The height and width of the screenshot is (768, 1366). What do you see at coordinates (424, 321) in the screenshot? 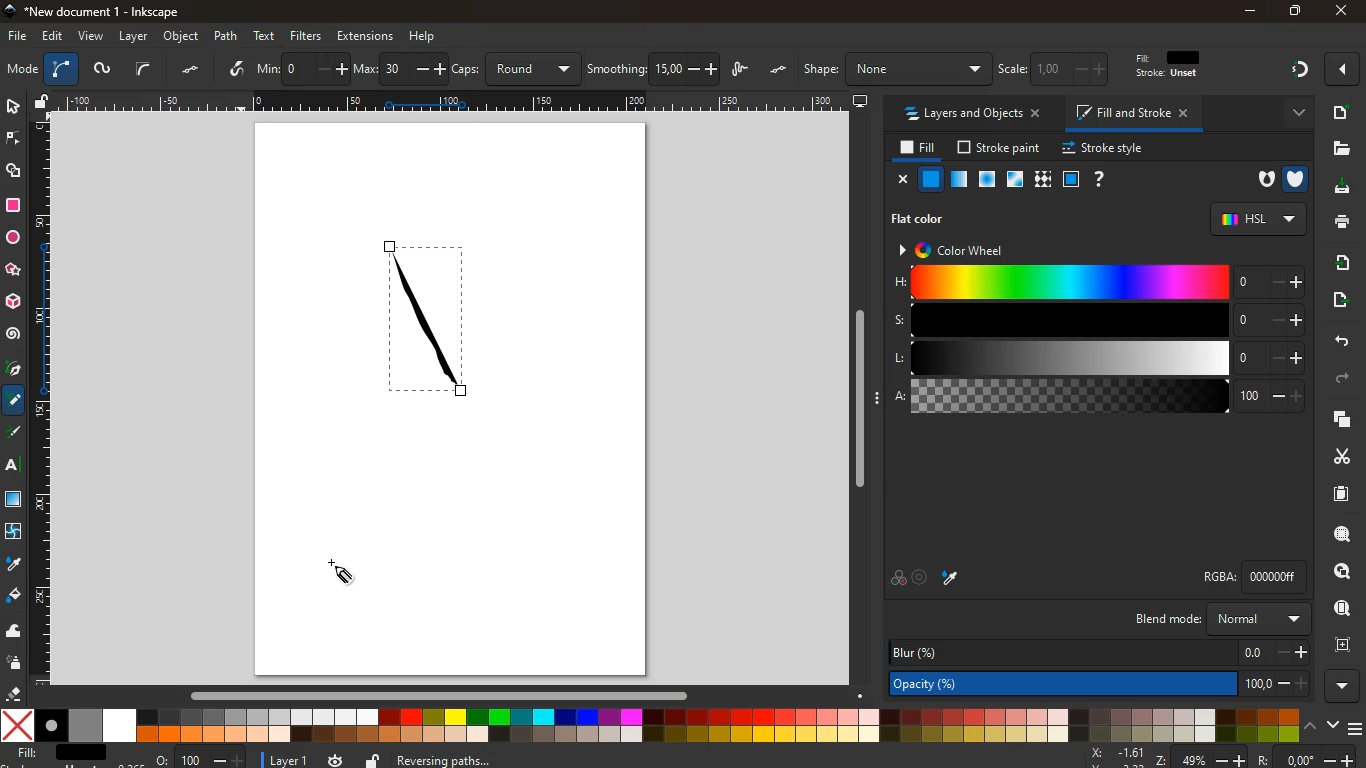
I see `draw` at bounding box center [424, 321].